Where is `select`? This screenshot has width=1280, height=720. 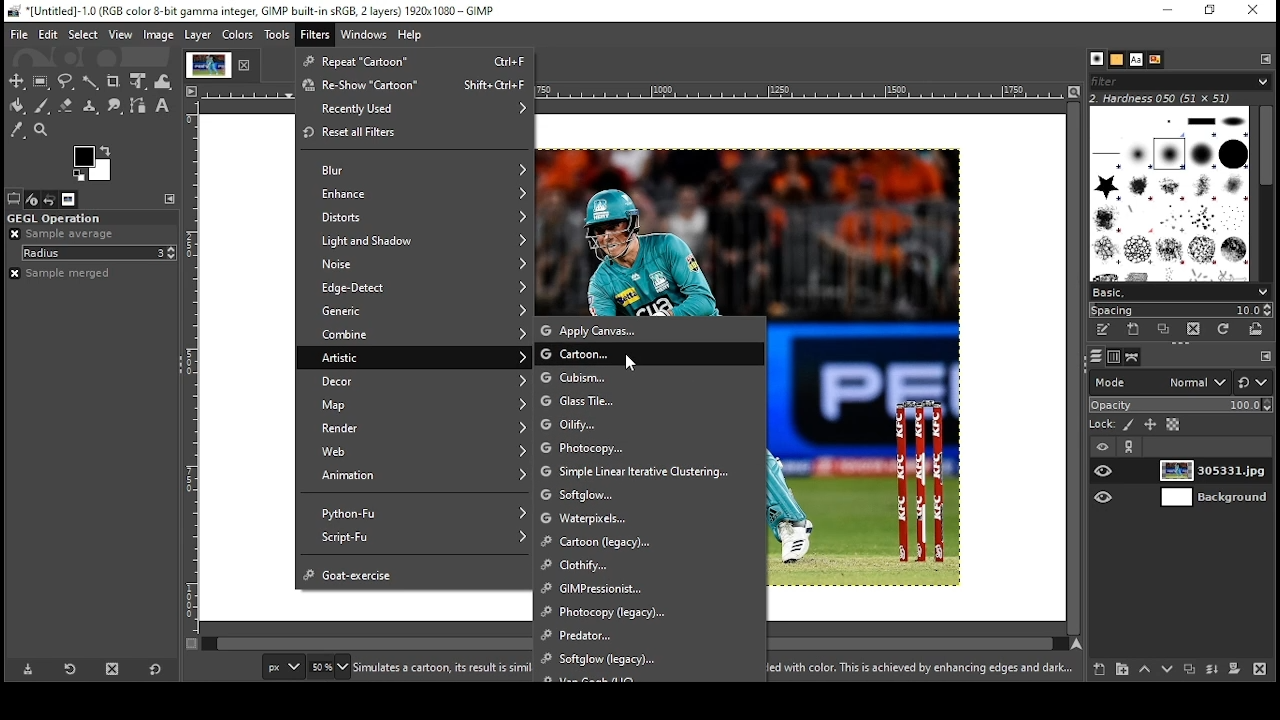 select is located at coordinates (83, 35).